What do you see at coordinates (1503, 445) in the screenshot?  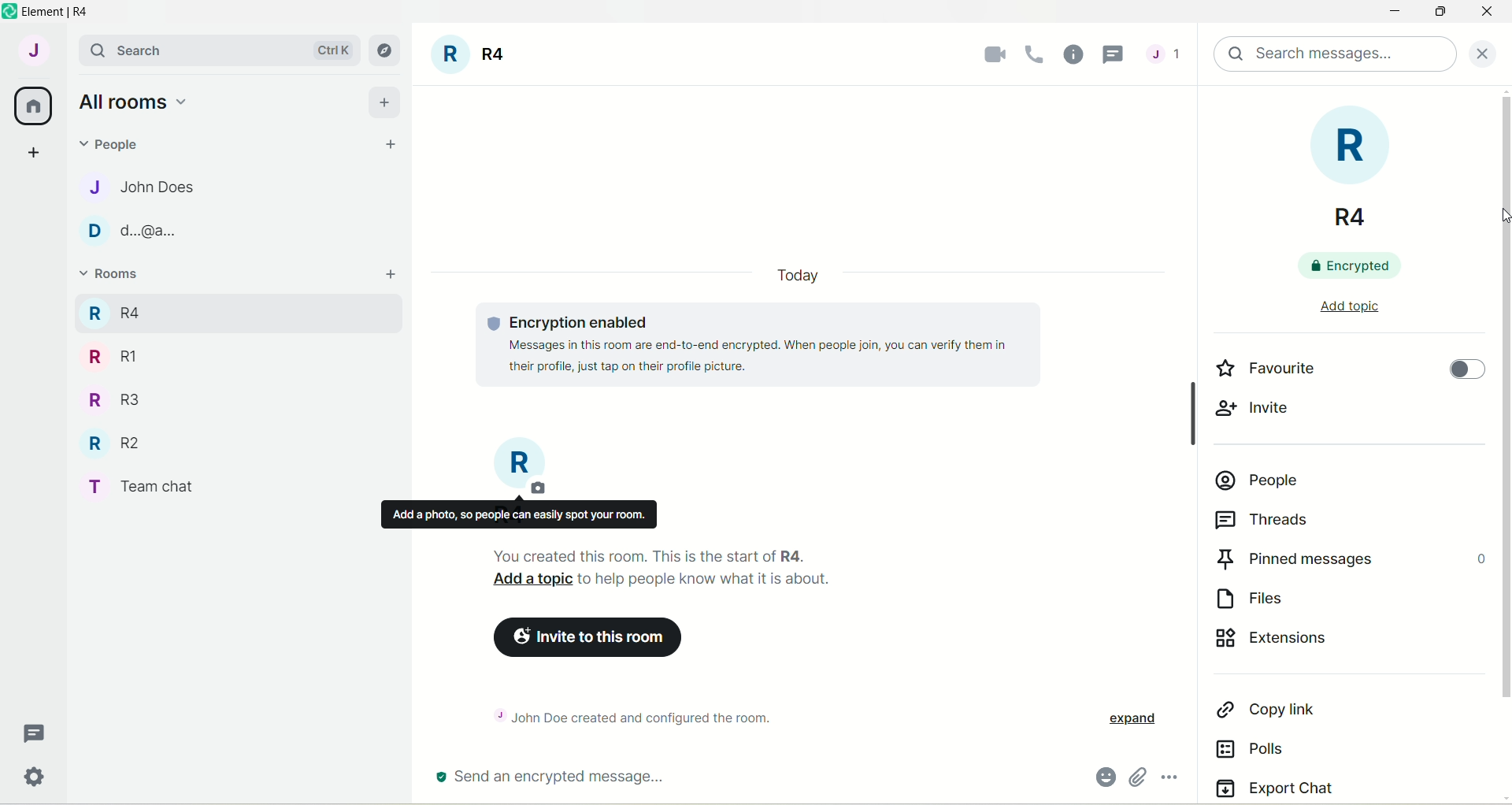 I see `vertical scroll bar` at bounding box center [1503, 445].